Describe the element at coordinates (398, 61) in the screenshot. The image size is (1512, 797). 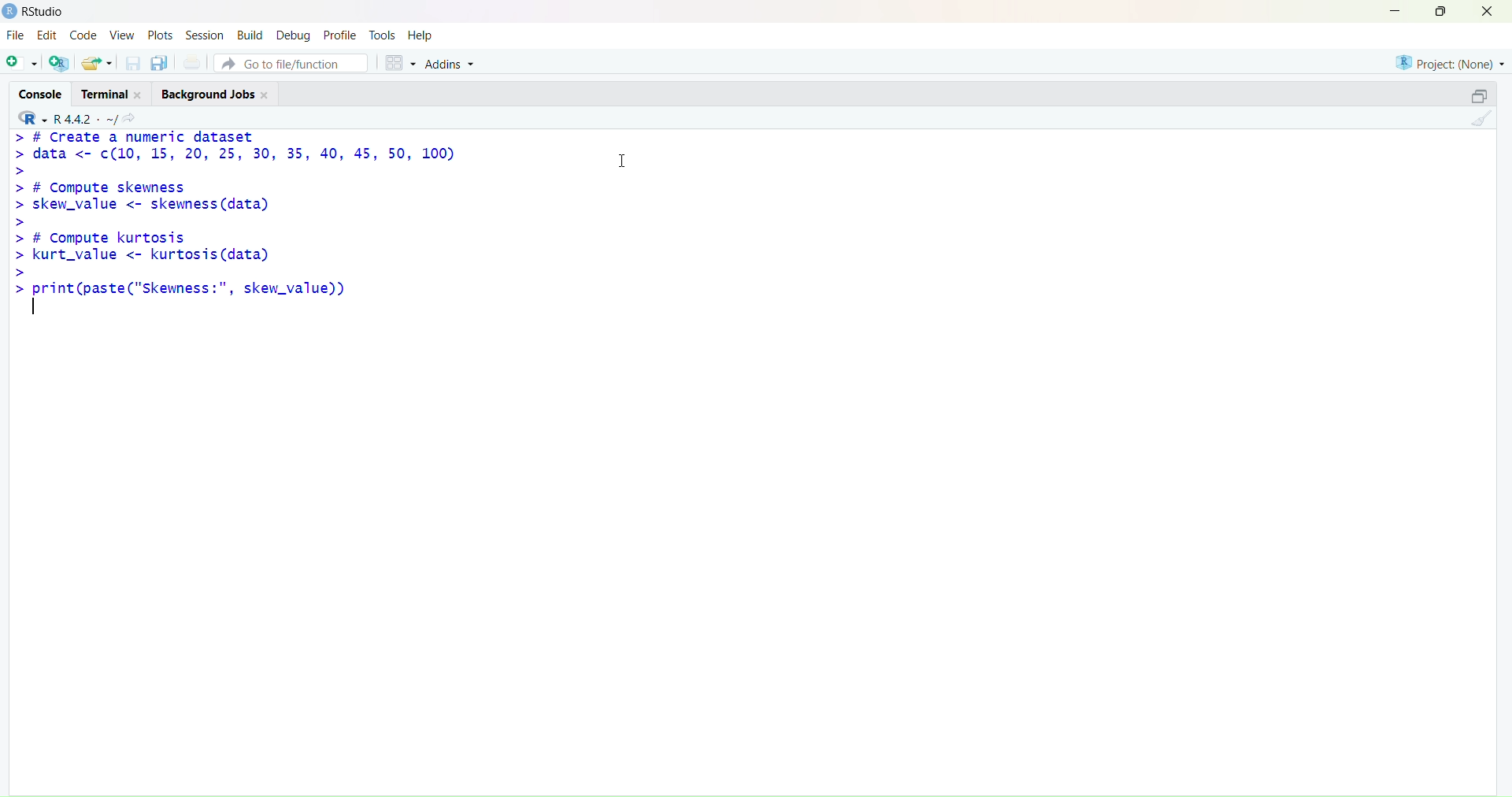
I see `Workspace panes` at that location.